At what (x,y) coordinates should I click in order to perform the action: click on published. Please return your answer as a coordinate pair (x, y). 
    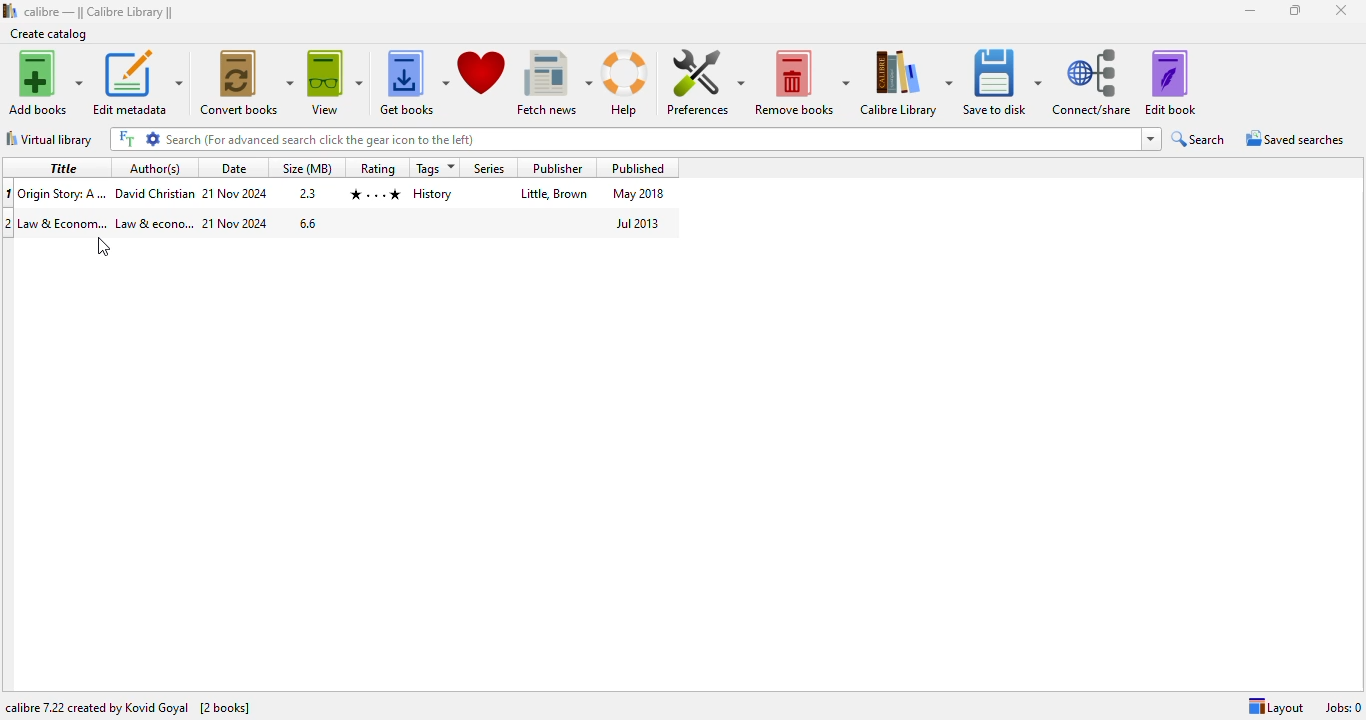
    Looking at the image, I should click on (637, 223).